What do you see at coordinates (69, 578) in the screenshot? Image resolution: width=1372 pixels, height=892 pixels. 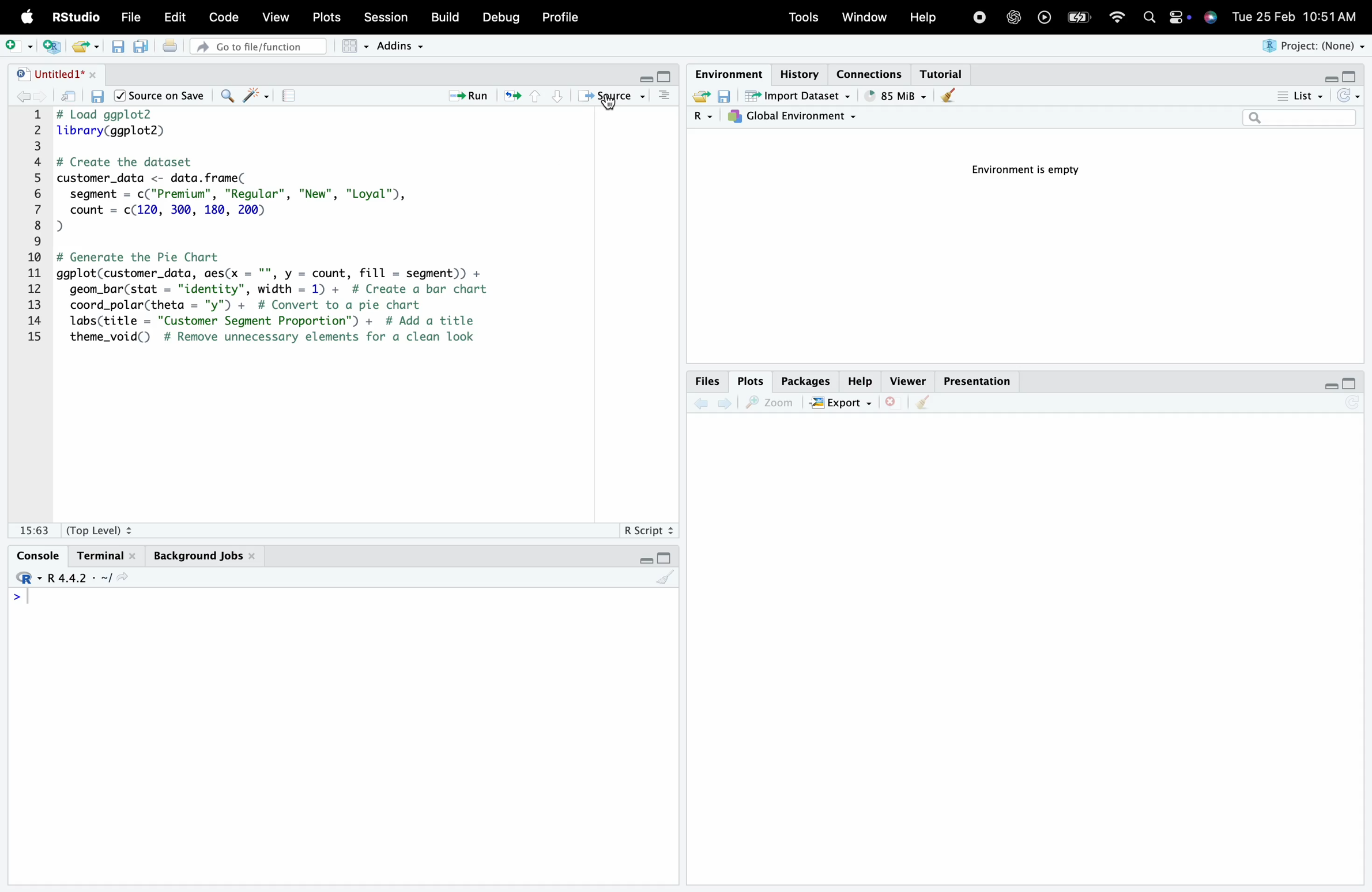 I see `R.4.4.2 ` at bounding box center [69, 578].